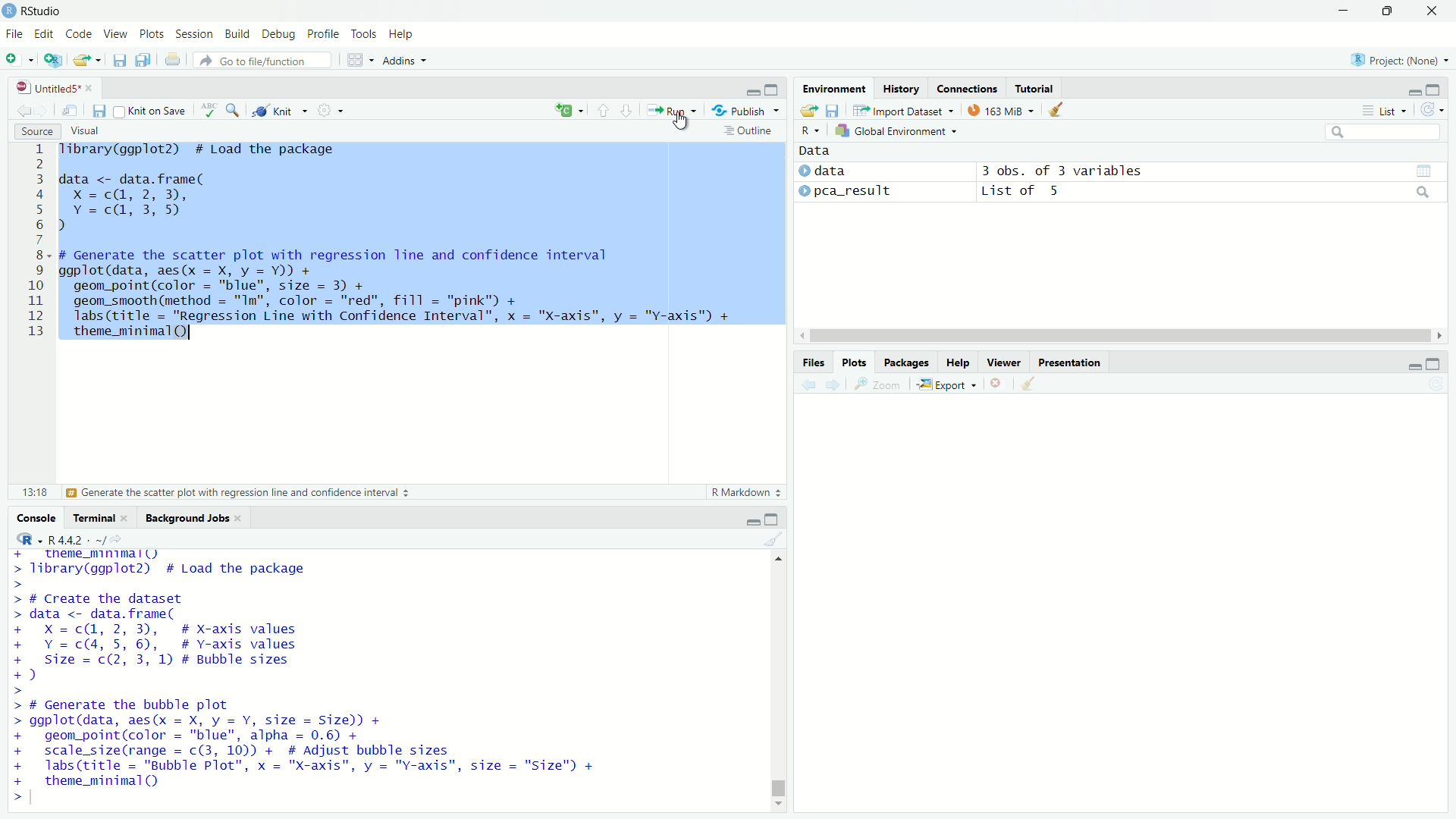 This screenshot has height=819, width=1456. What do you see at coordinates (1412, 364) in the screenshot?
I see `minimize` at bounding box center [1412, 364].